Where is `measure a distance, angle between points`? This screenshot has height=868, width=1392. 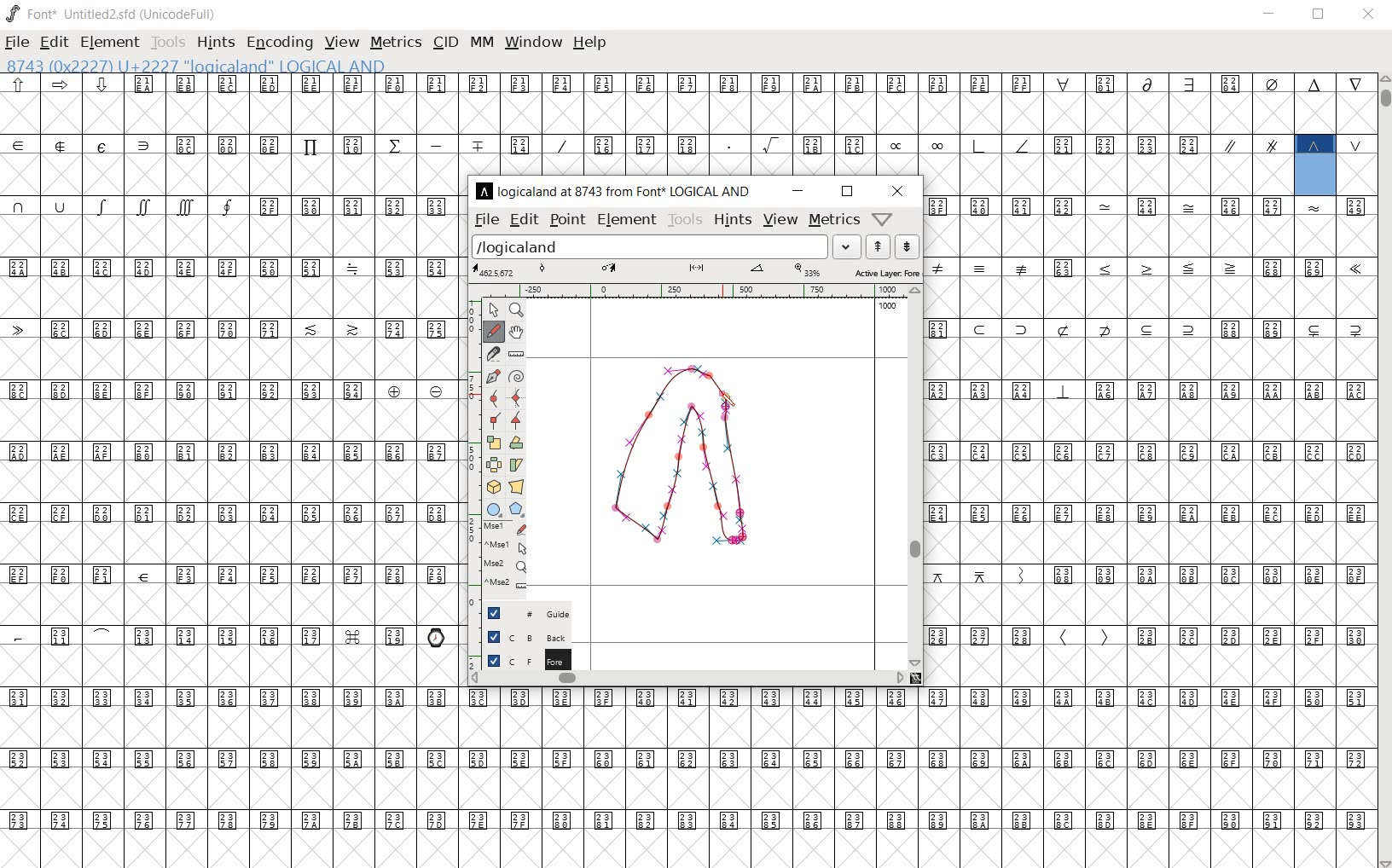
measure a distance, angle between points is located at coordinates (516, 354).